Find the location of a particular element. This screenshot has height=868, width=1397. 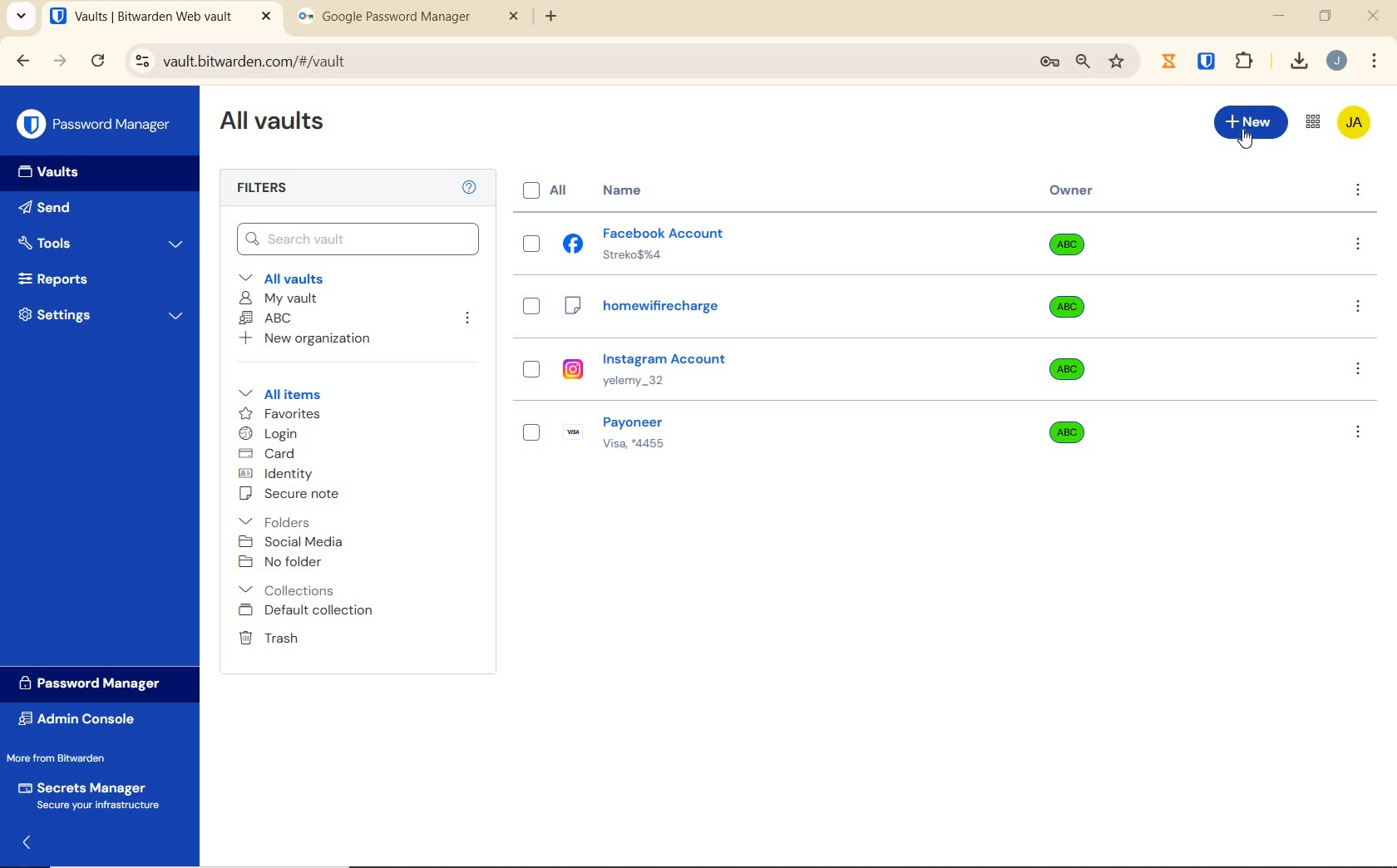

Settings is located at coordinates (101, 313).